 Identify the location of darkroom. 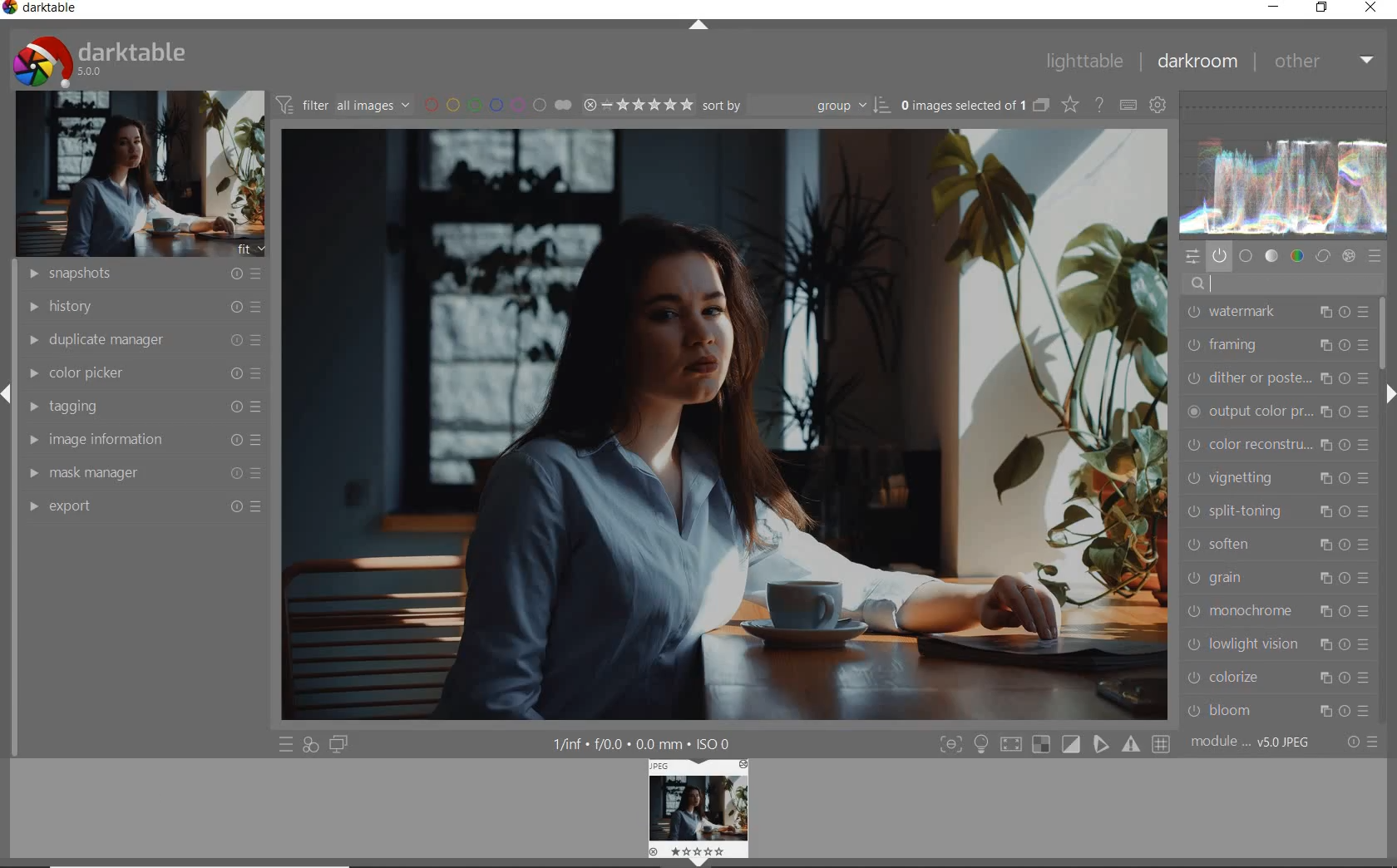
(1196, 62).